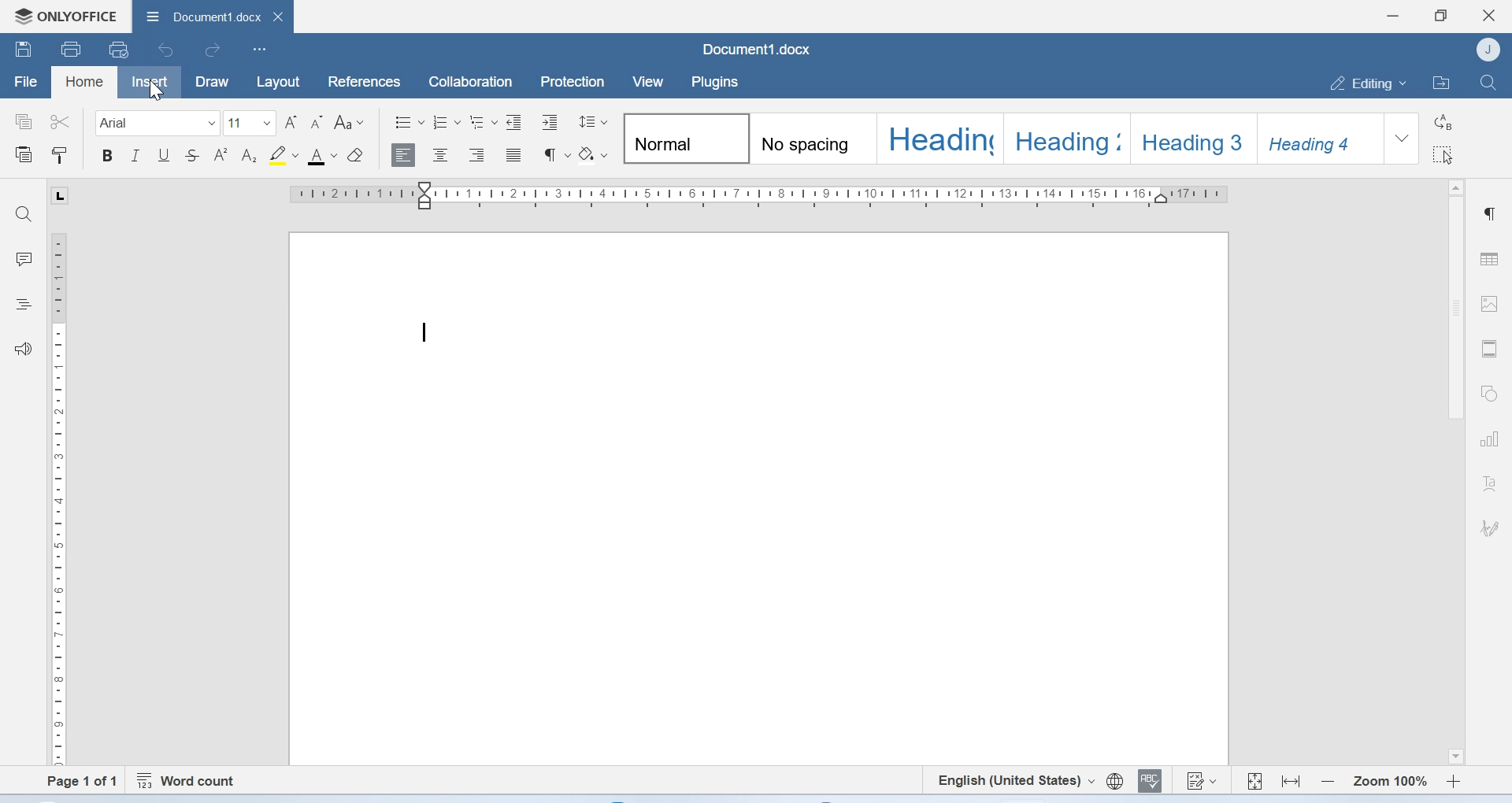  I want to click on Heading 4, so click(1321, 139).